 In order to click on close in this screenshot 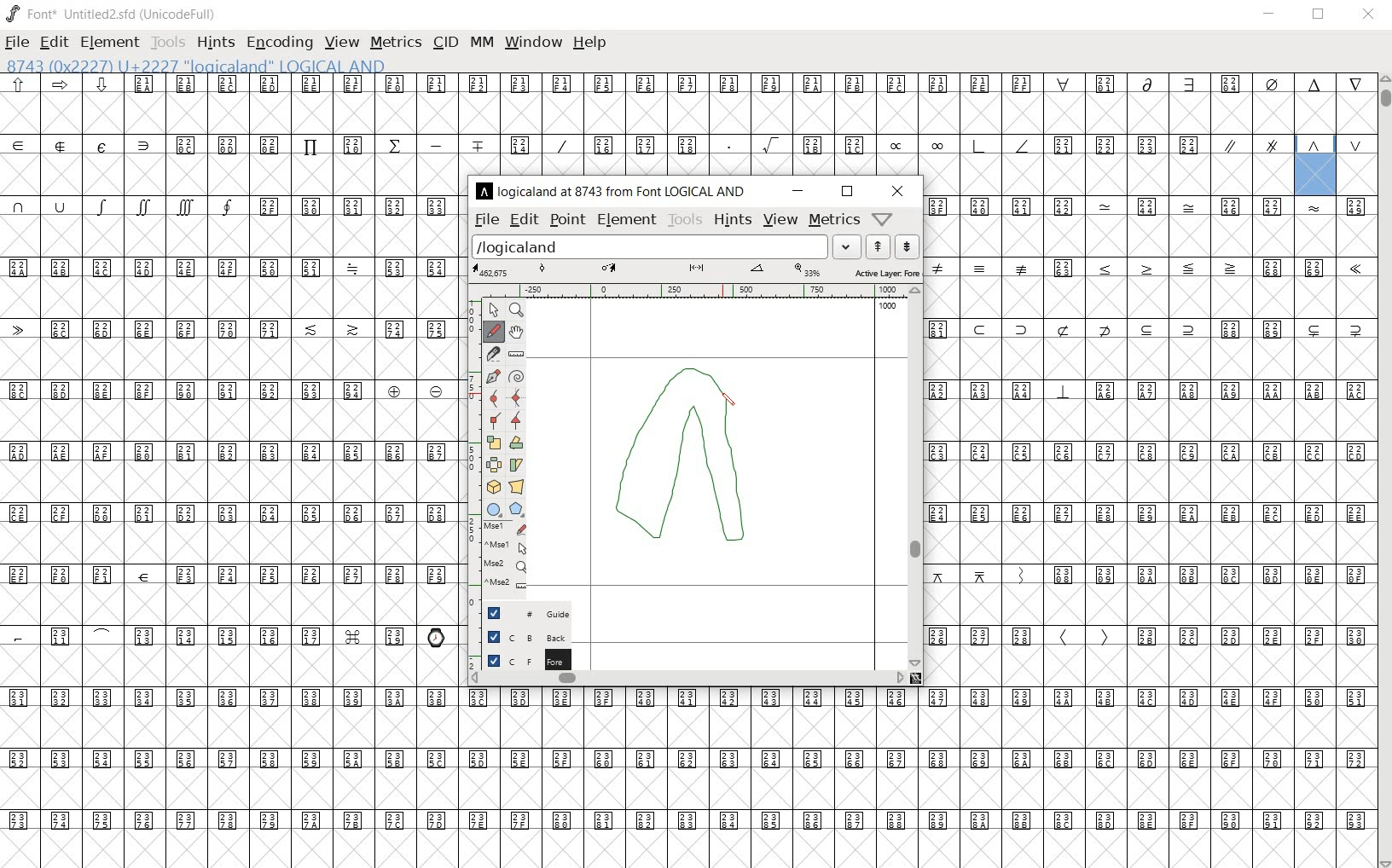, I will do `click(897, 191)`.